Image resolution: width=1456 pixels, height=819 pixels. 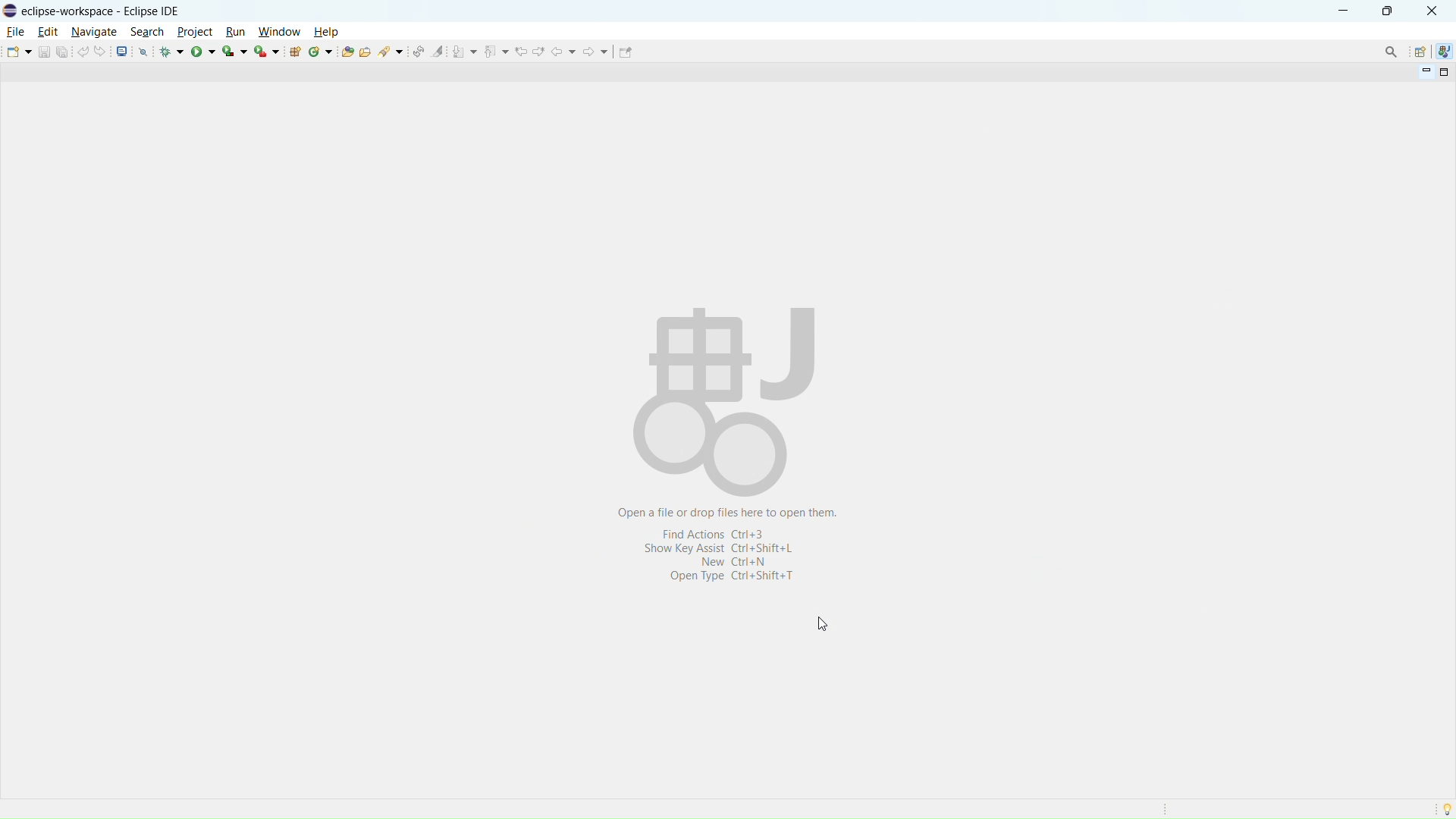 I want to click on redo, so click(x=100, y=52).